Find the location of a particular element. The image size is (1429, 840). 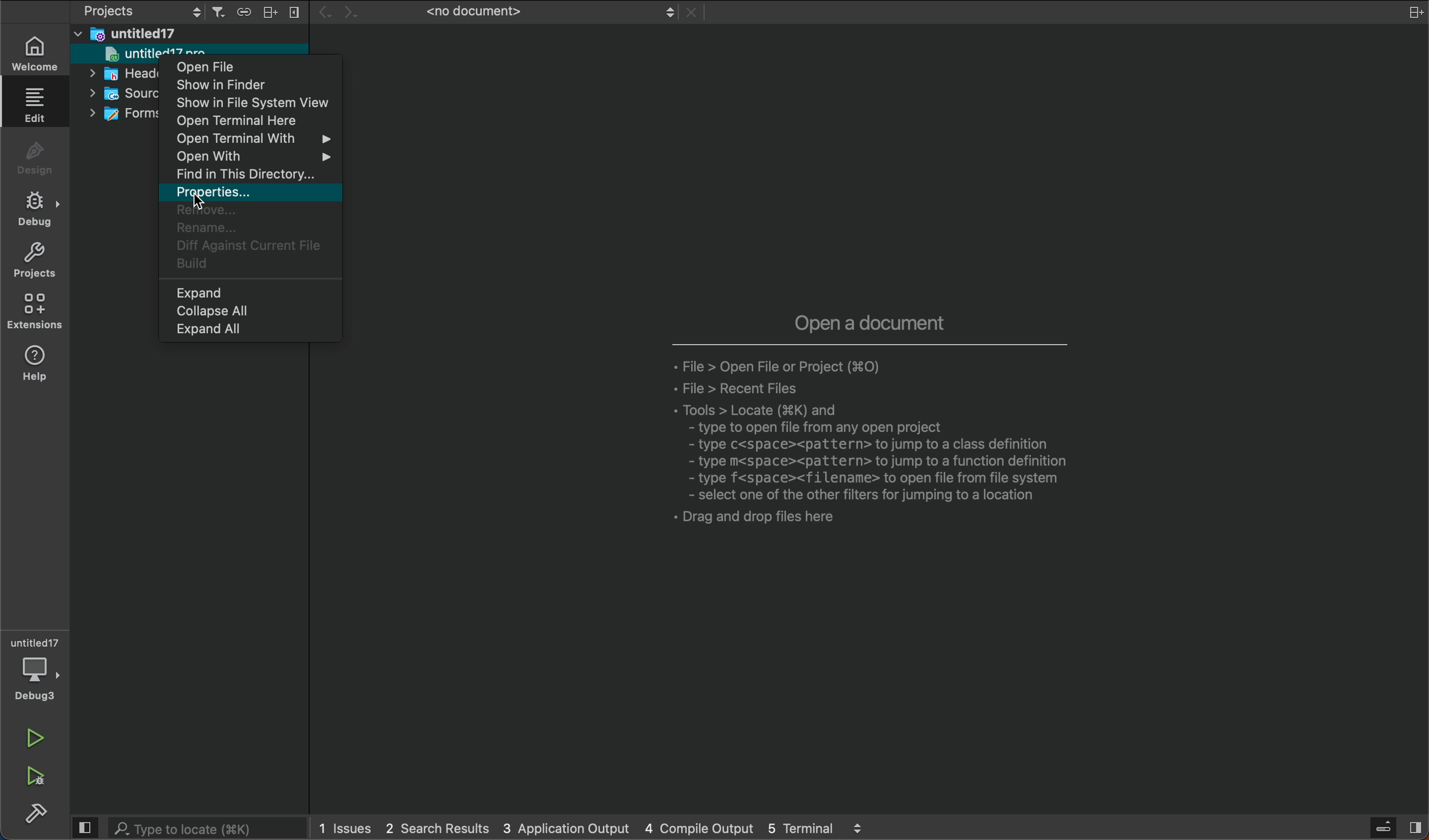

 is located at coordinates (269, 12).